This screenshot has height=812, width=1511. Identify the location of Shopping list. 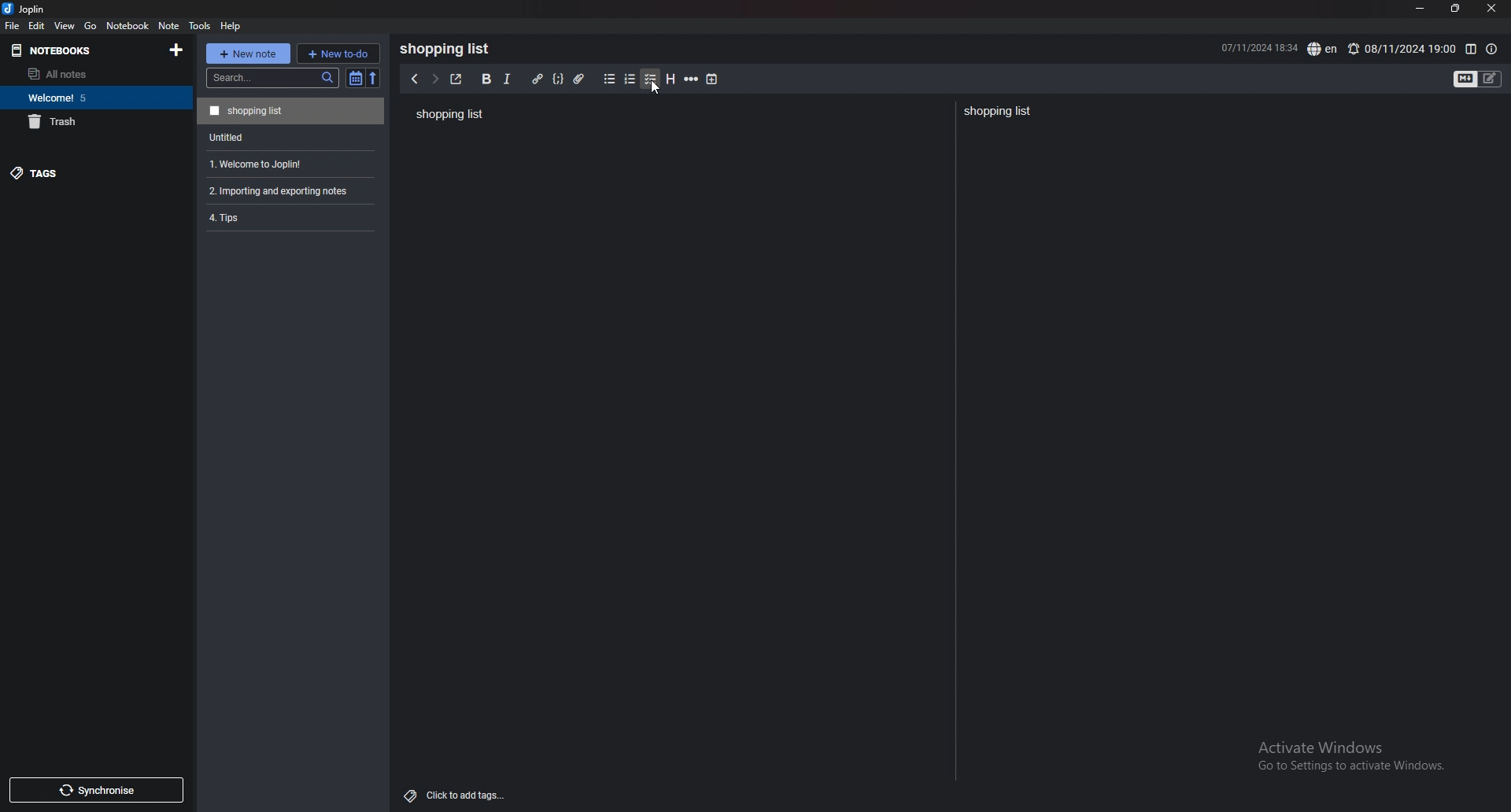
(449, 49).